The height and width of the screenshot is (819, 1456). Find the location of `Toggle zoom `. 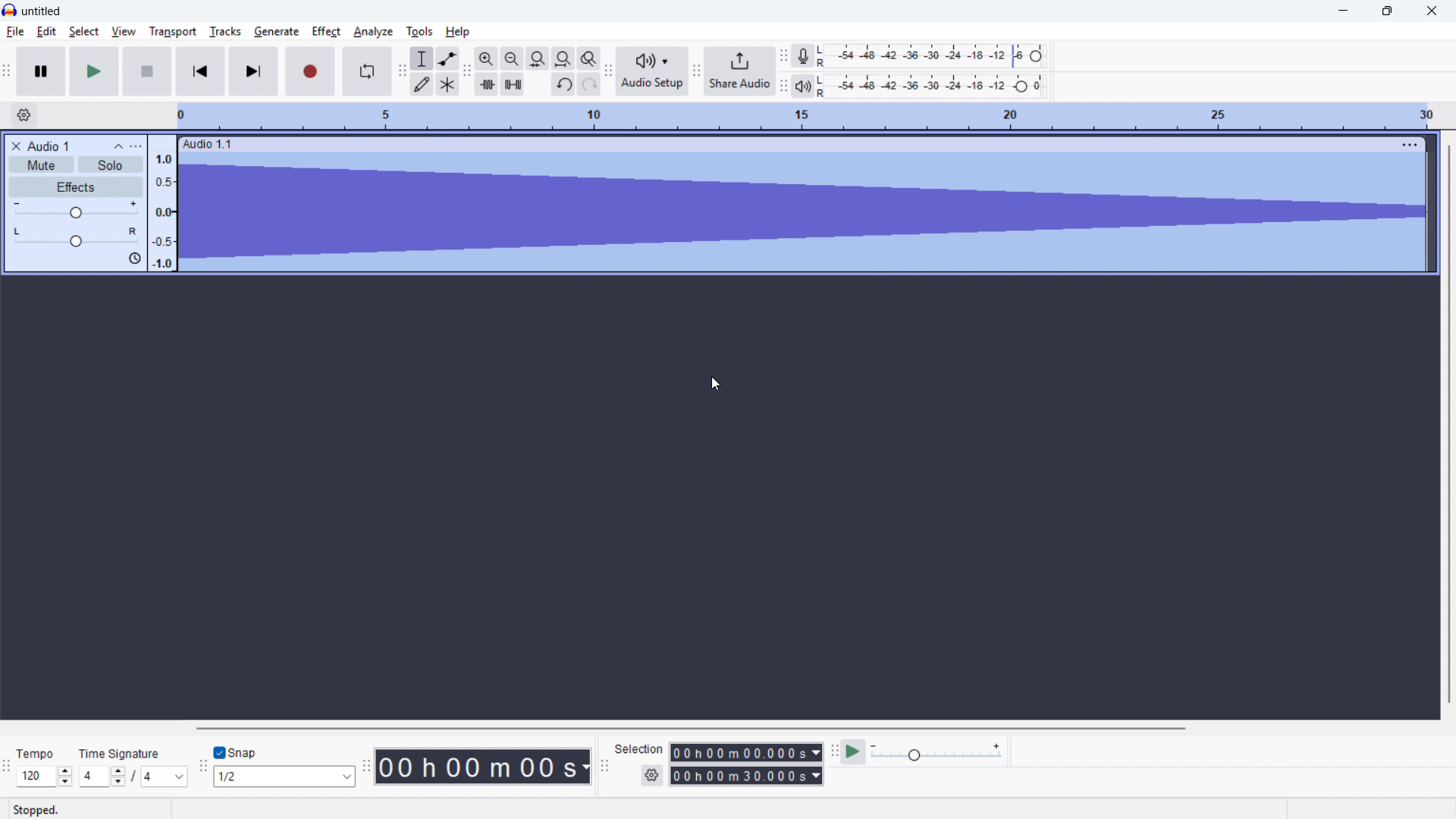

Toggle zoom  is located at coordinates (588, 58).